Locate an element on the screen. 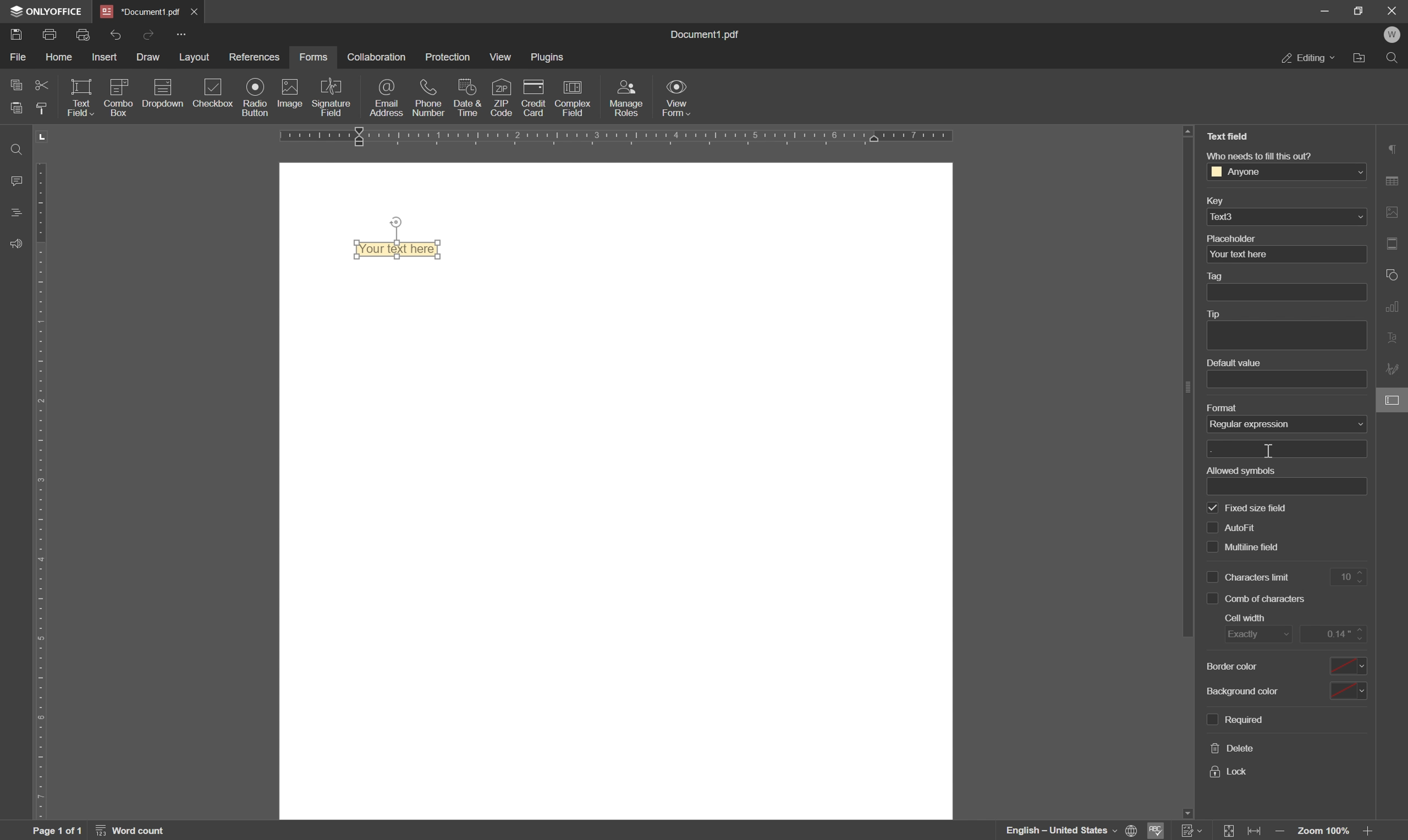  phone number is located at coordinates (430, 97).